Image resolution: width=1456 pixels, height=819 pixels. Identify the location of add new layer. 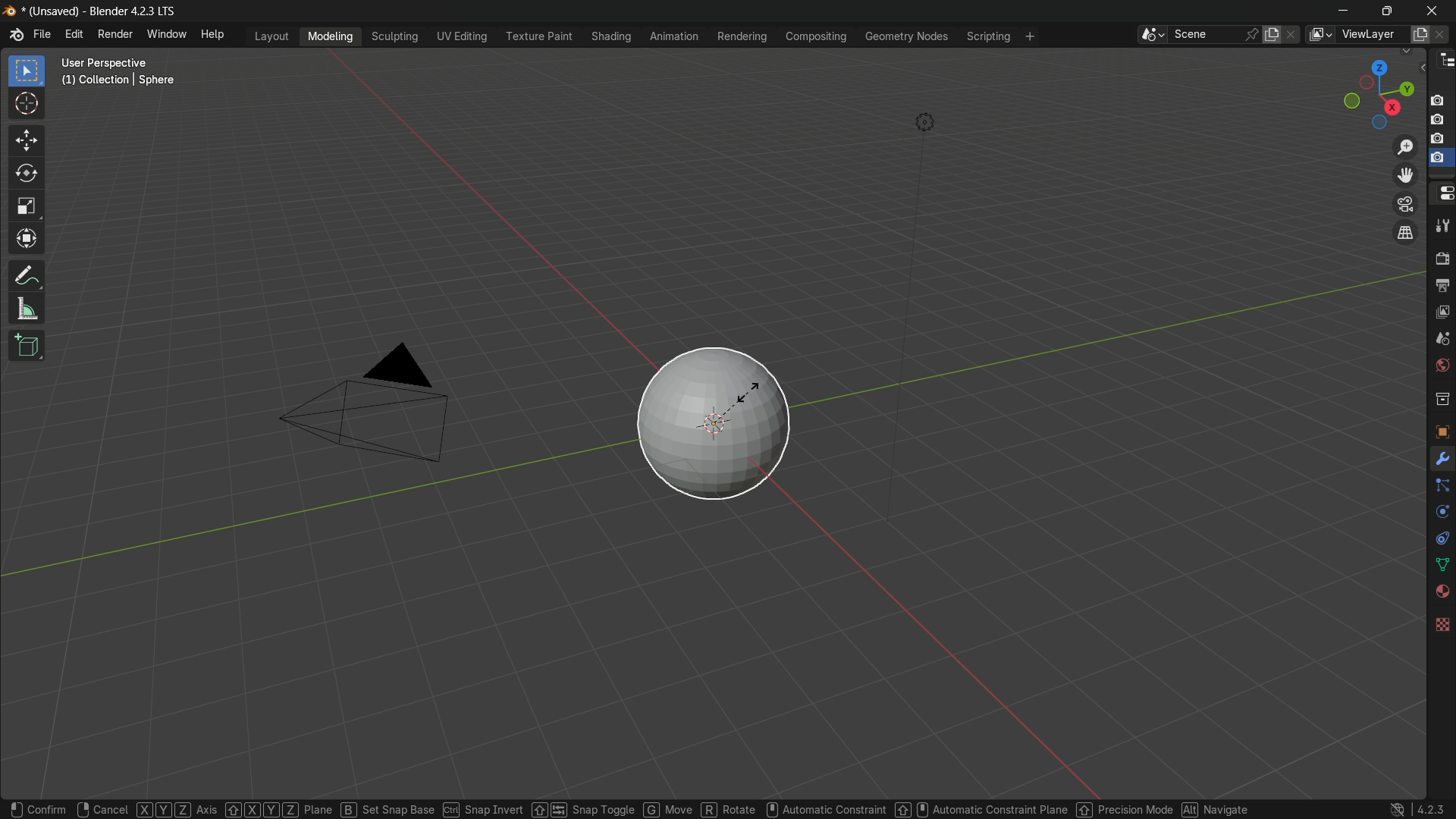
(1420, 33).